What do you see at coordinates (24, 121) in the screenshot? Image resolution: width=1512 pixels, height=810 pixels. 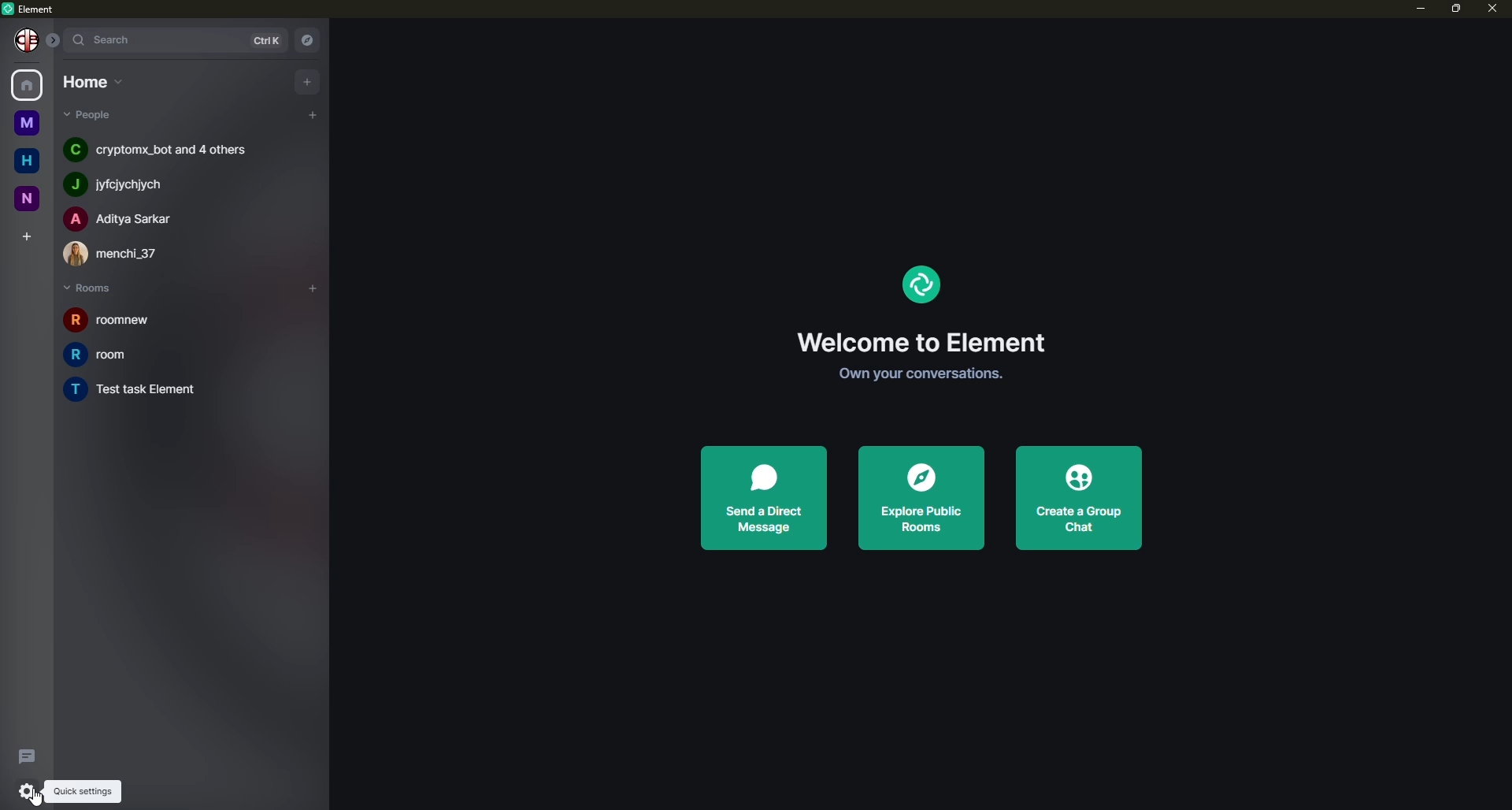 I see `myspace` at bounding box center [24, 121].